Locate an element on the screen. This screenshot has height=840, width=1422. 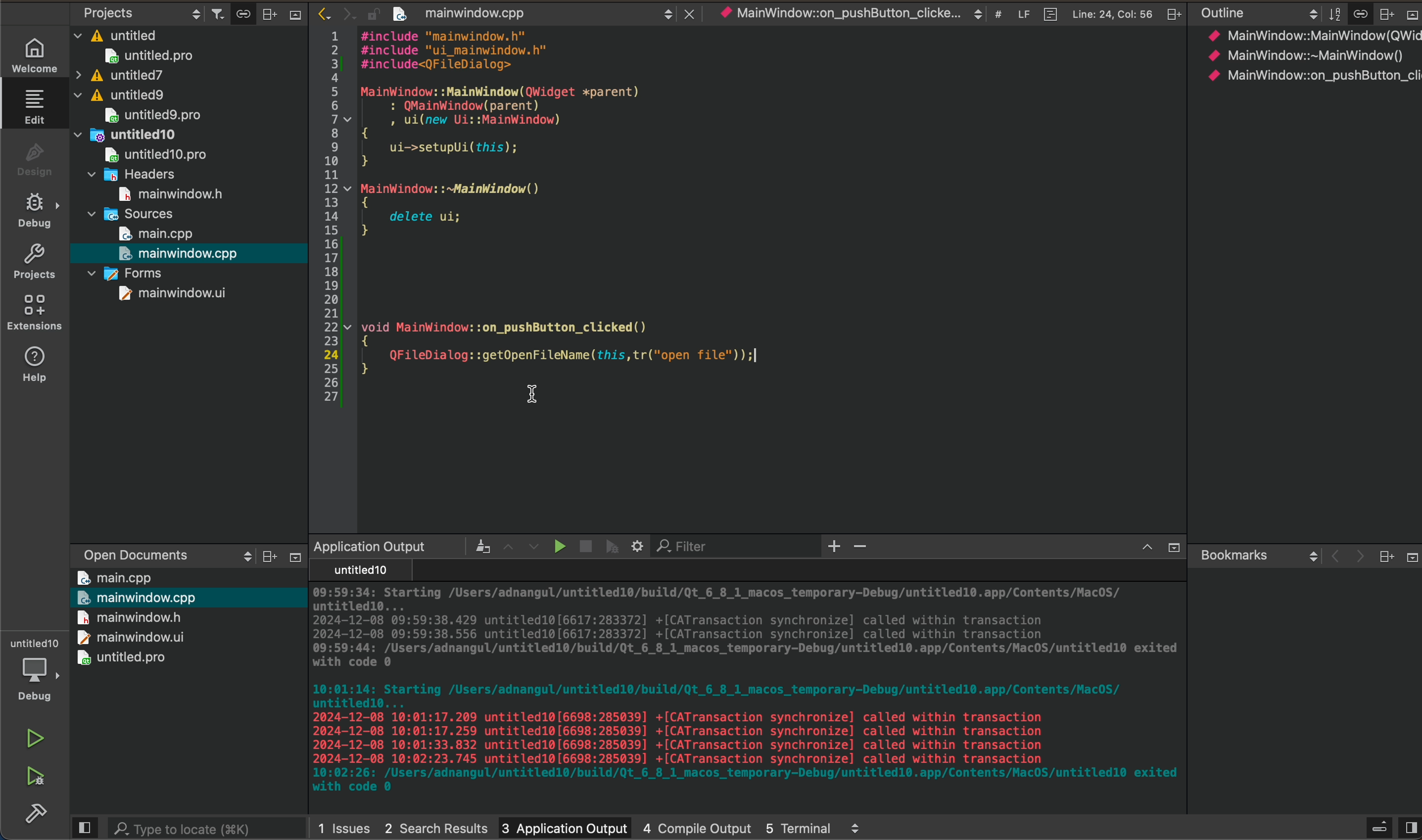
 is located at coordinates (1377, 825).